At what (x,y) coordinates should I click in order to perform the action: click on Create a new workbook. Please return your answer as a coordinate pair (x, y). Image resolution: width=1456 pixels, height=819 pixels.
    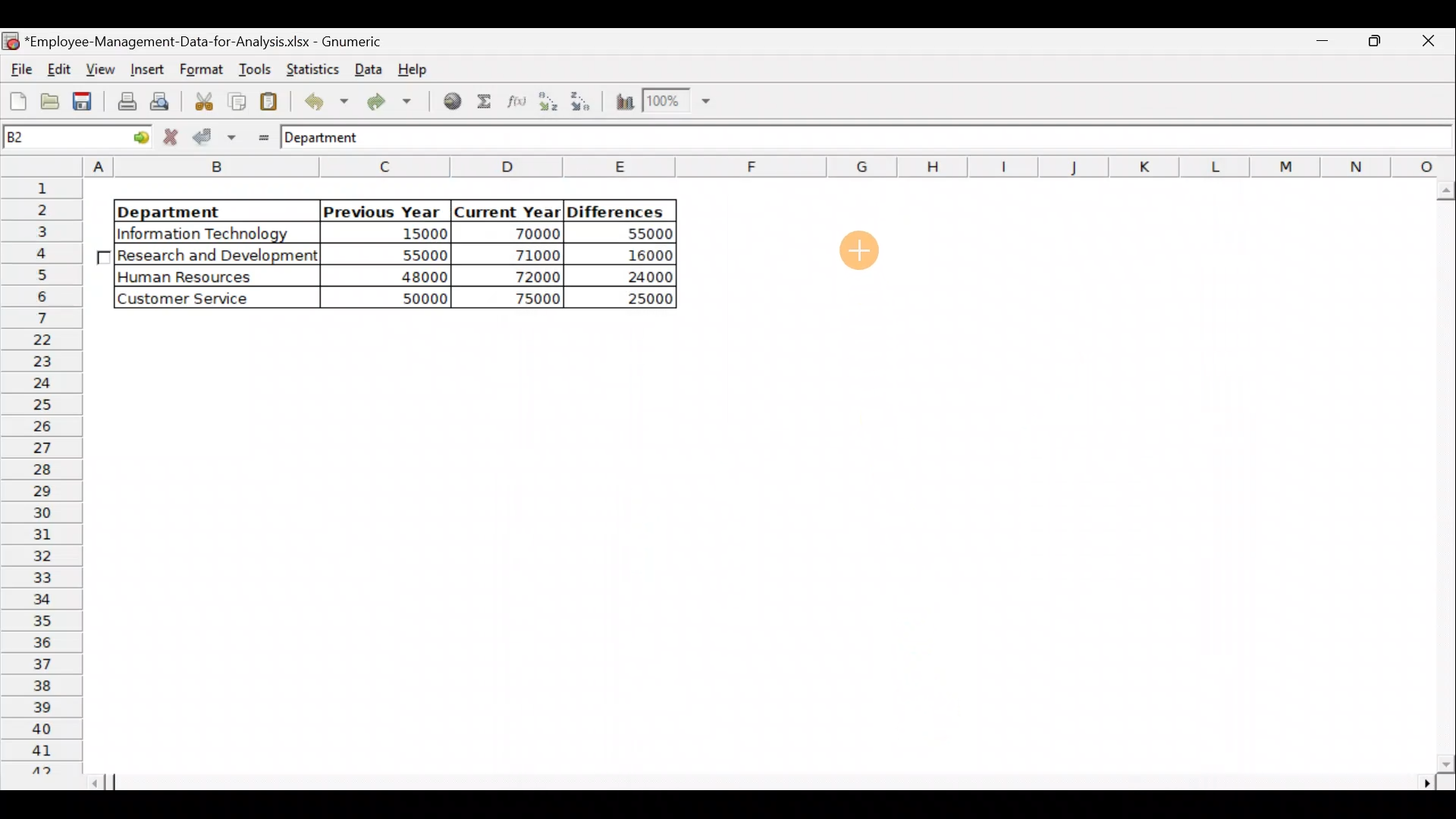
    Looking at the image, I should click on (18, 101).